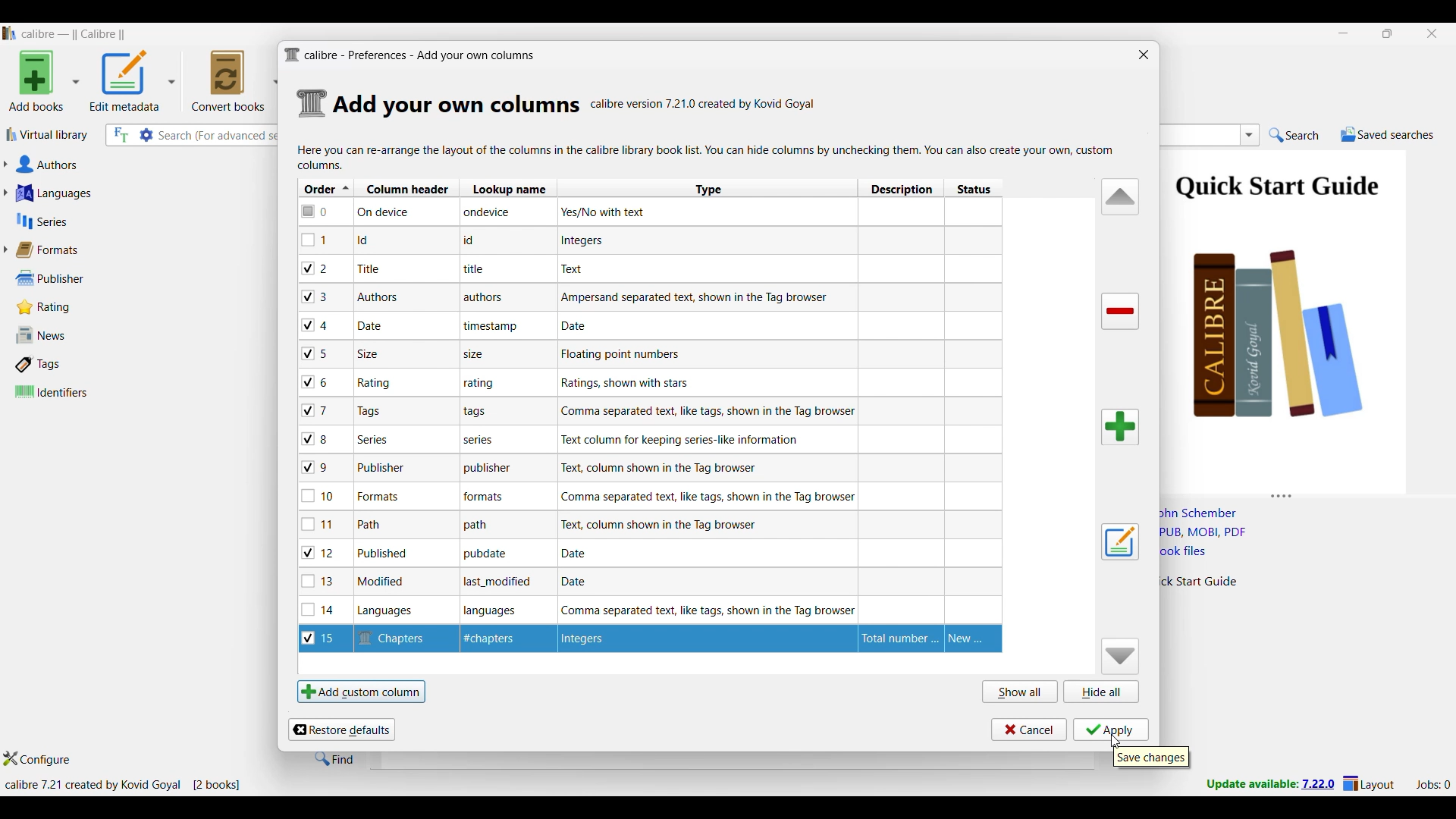 This screenshot has width=1456, height=819. Describe the element at coordinates (368, 524) in the screenshot. I see `Note` at that location.